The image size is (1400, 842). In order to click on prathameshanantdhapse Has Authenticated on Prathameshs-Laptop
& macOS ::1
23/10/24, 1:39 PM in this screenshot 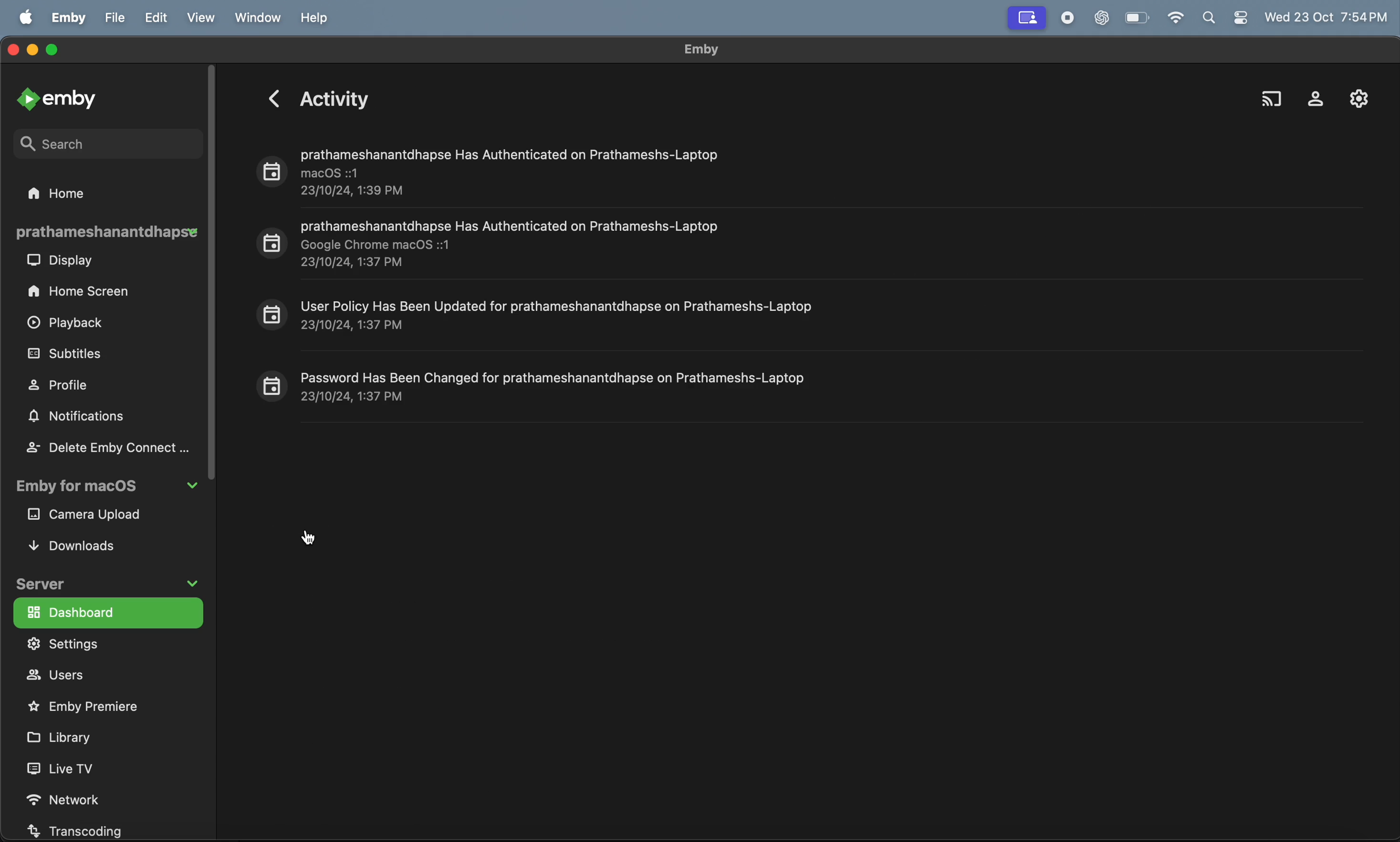, I will do `click(489, 169)`.